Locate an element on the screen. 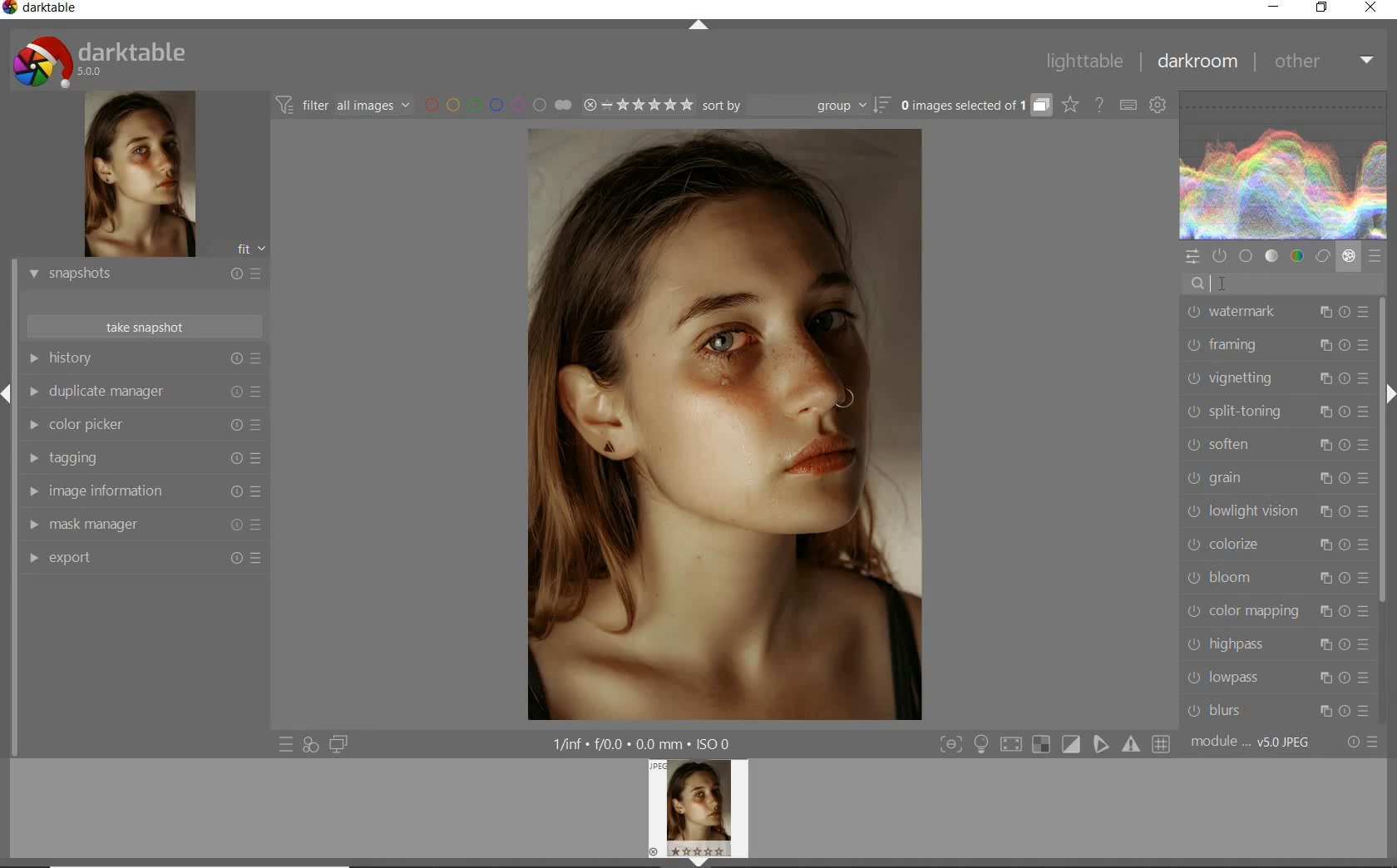 This screenshot has height=868, width=1397. base is located at coordinates (1246, 256).